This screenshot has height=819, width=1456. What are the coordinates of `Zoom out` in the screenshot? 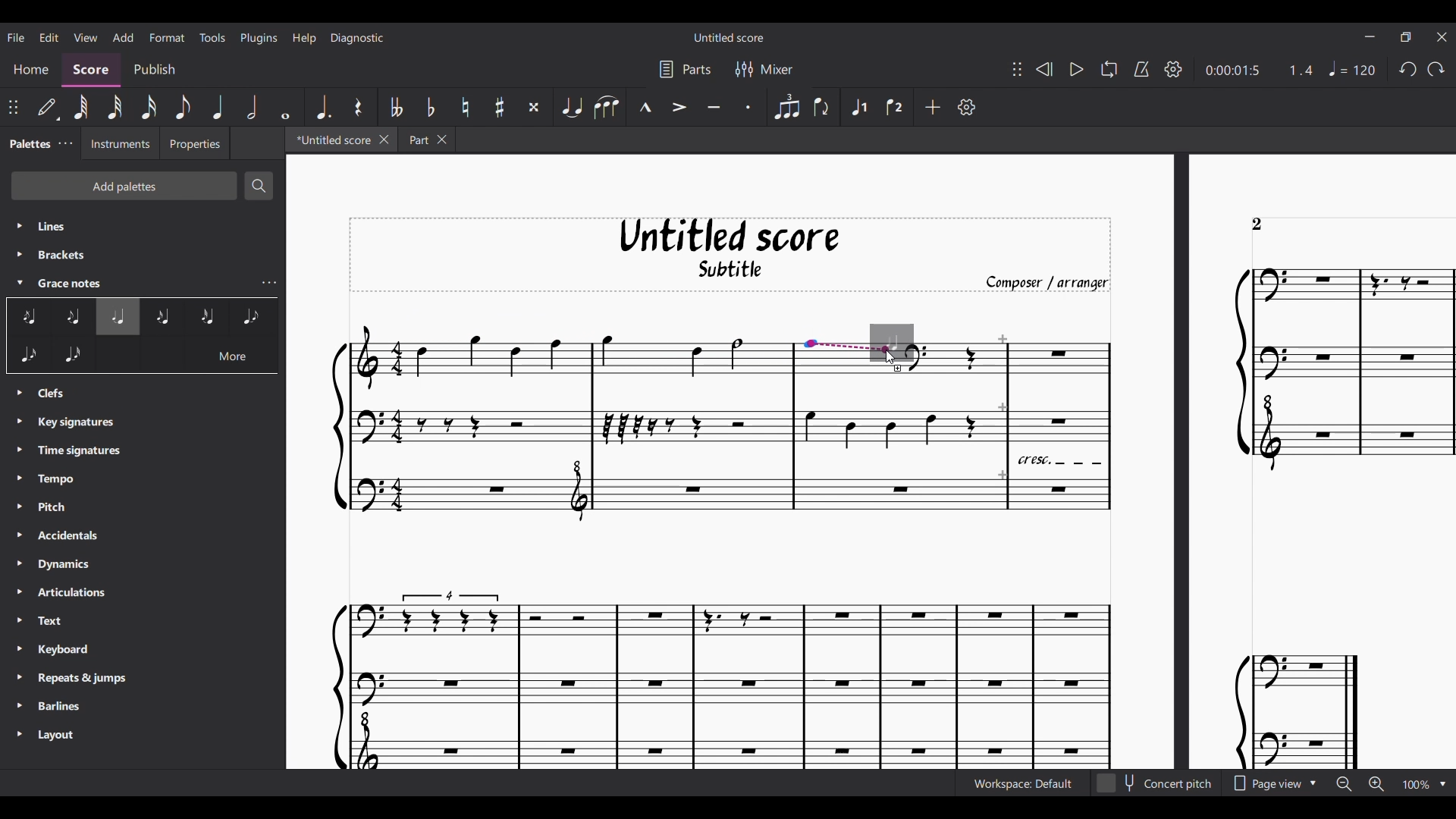 It's located at (1344, 784).